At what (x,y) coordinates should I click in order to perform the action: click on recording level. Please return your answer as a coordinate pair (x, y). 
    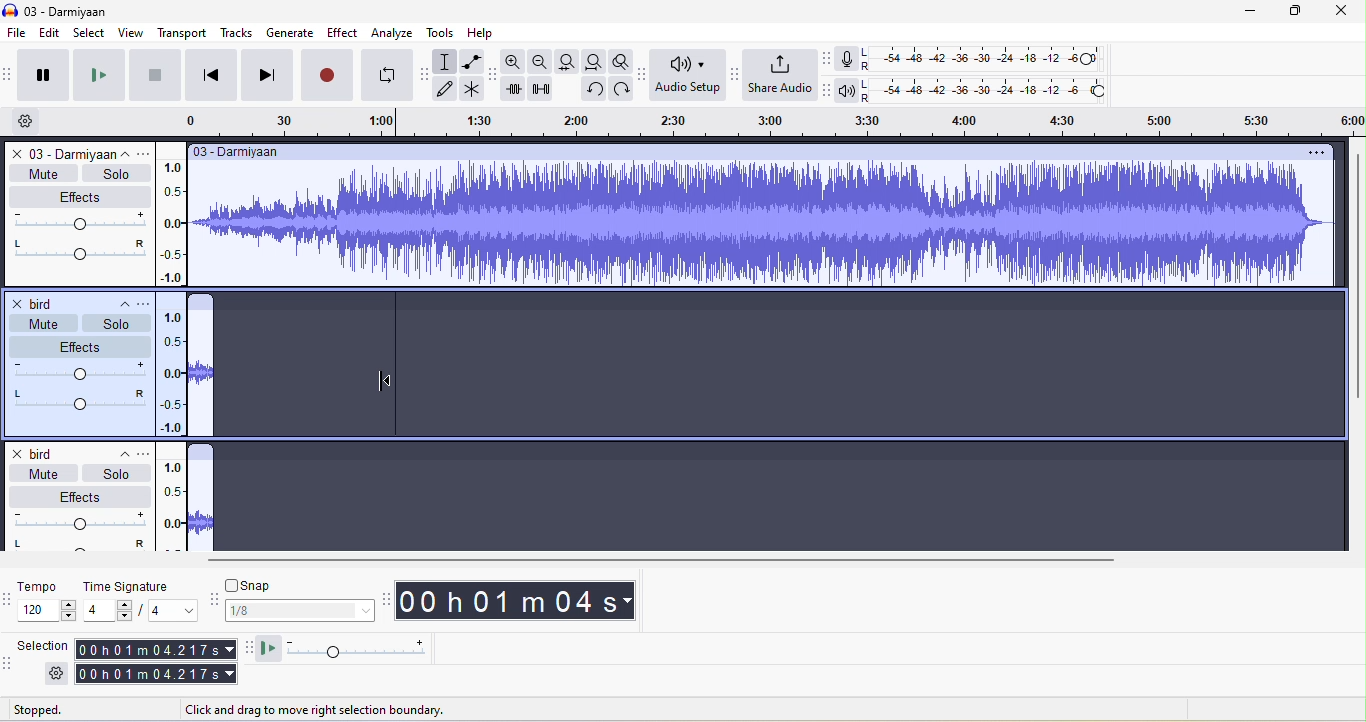
    Looking at the image, I should click on (985, 59).